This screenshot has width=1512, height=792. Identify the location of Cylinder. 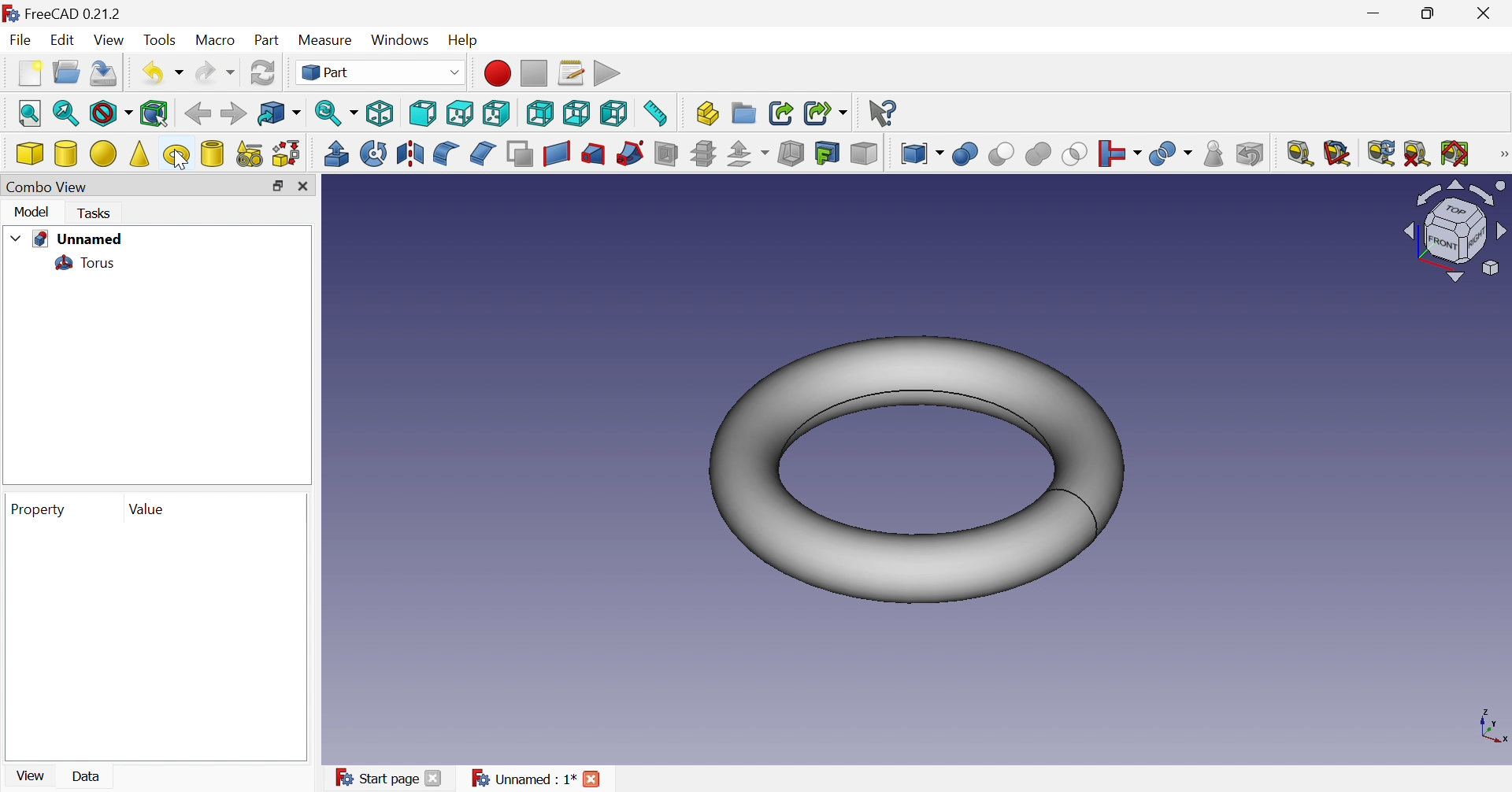
(66, 154).